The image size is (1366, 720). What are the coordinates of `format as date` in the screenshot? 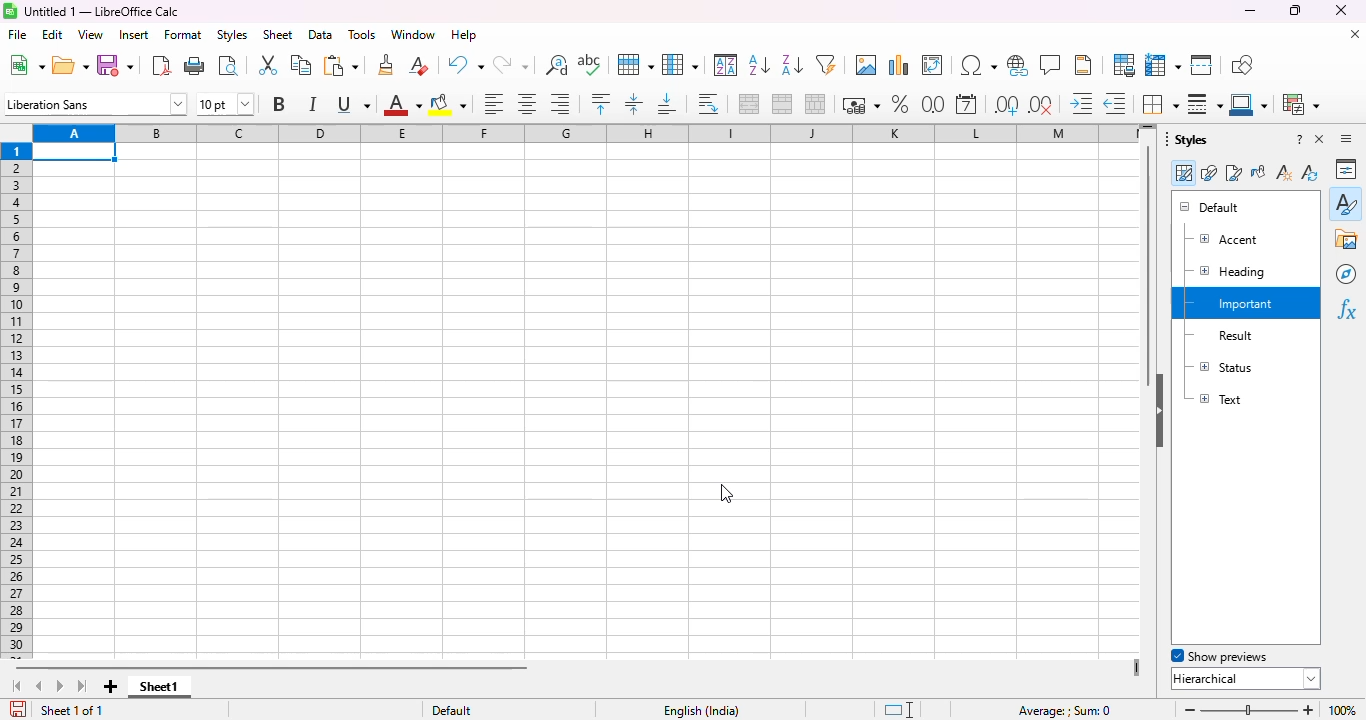 It's located at (966, 104).